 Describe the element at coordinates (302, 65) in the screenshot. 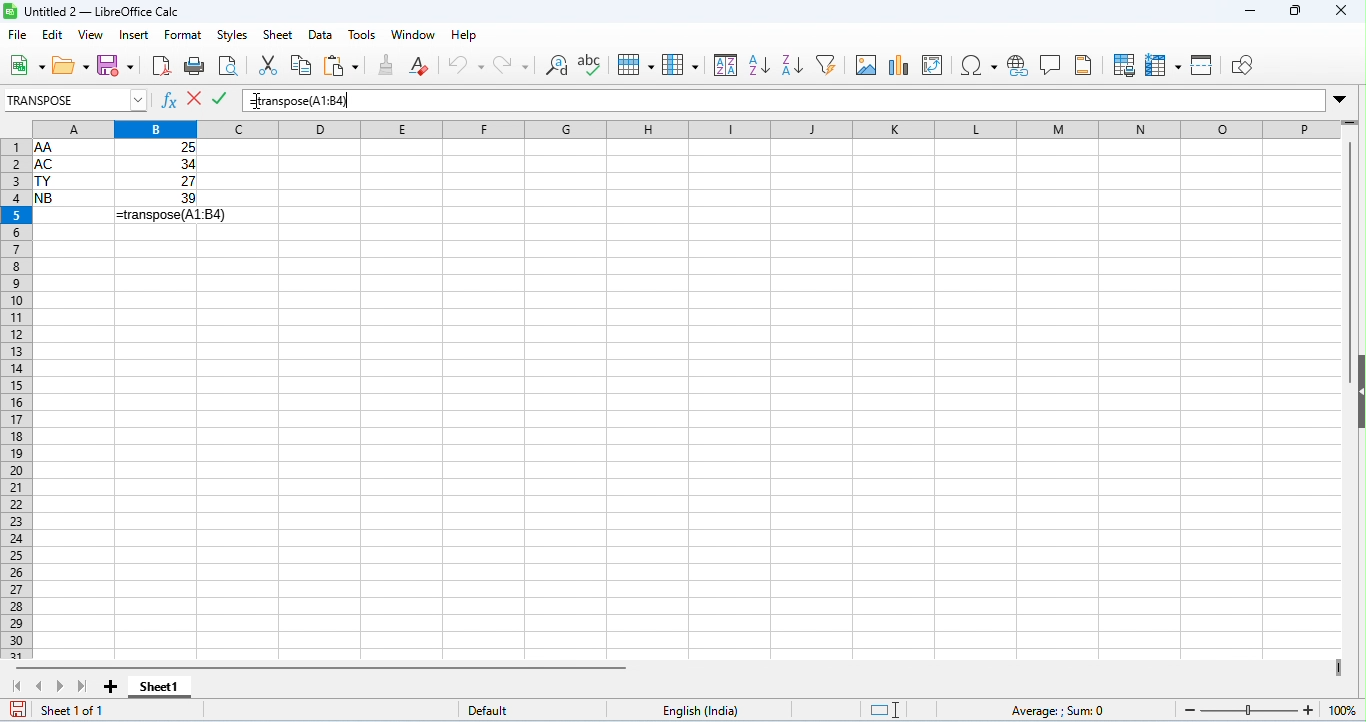

I see `copy` at that location.